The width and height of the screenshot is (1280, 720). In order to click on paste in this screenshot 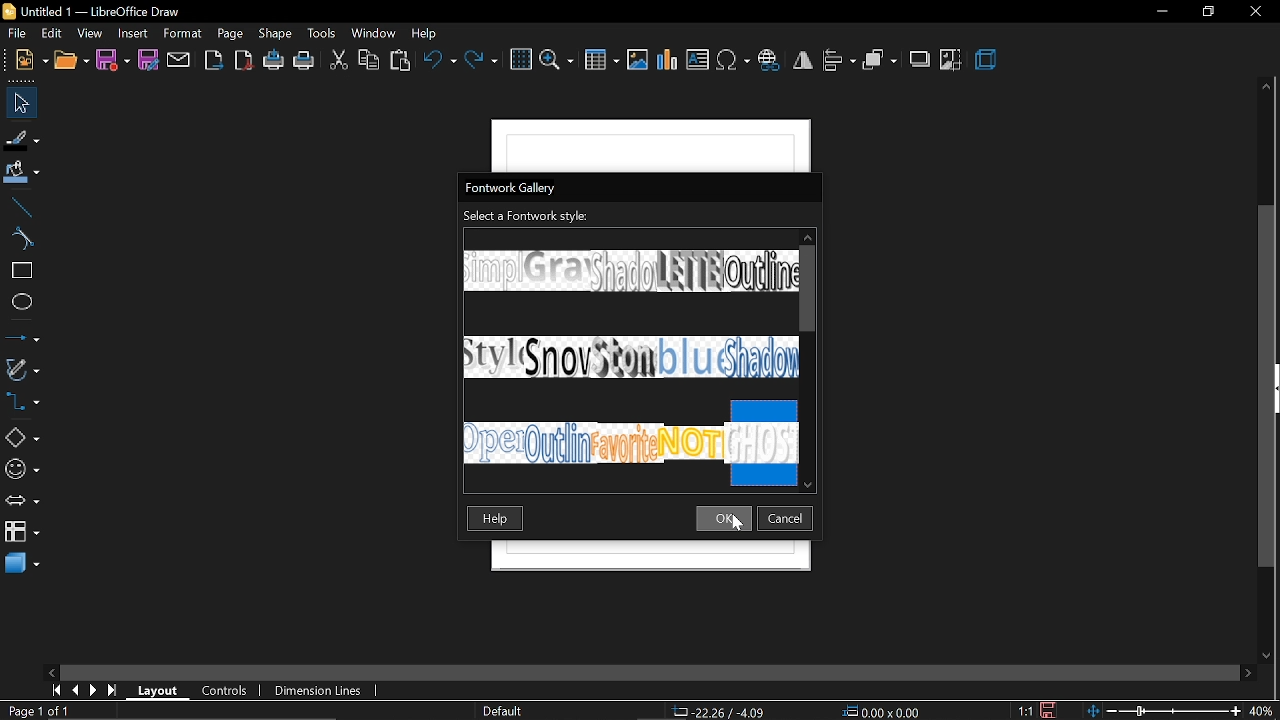, I will do `click(402, 60)`.